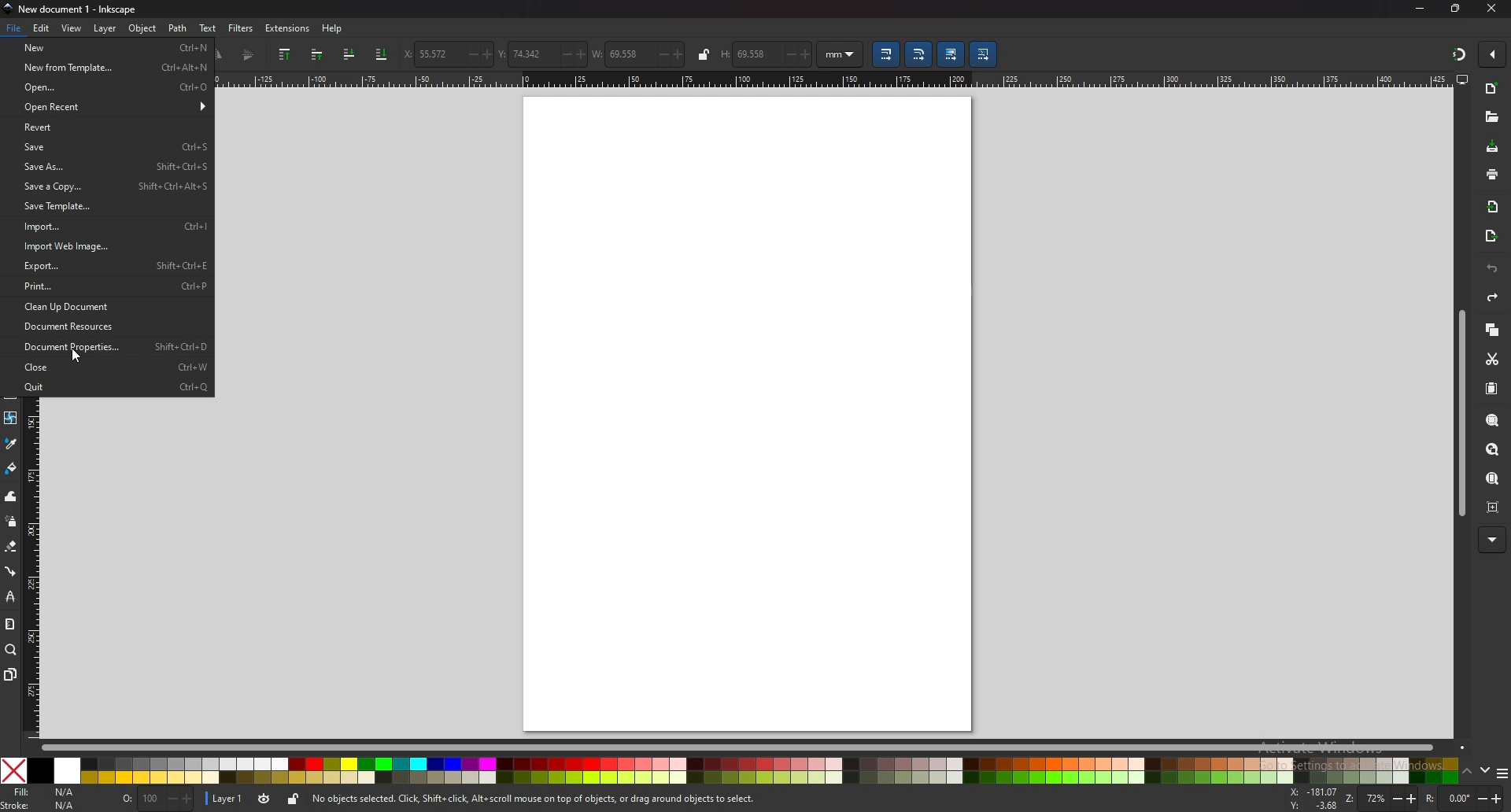 The image size is (1511, 812). I want to click on raise selection to top, so click(285, 54).